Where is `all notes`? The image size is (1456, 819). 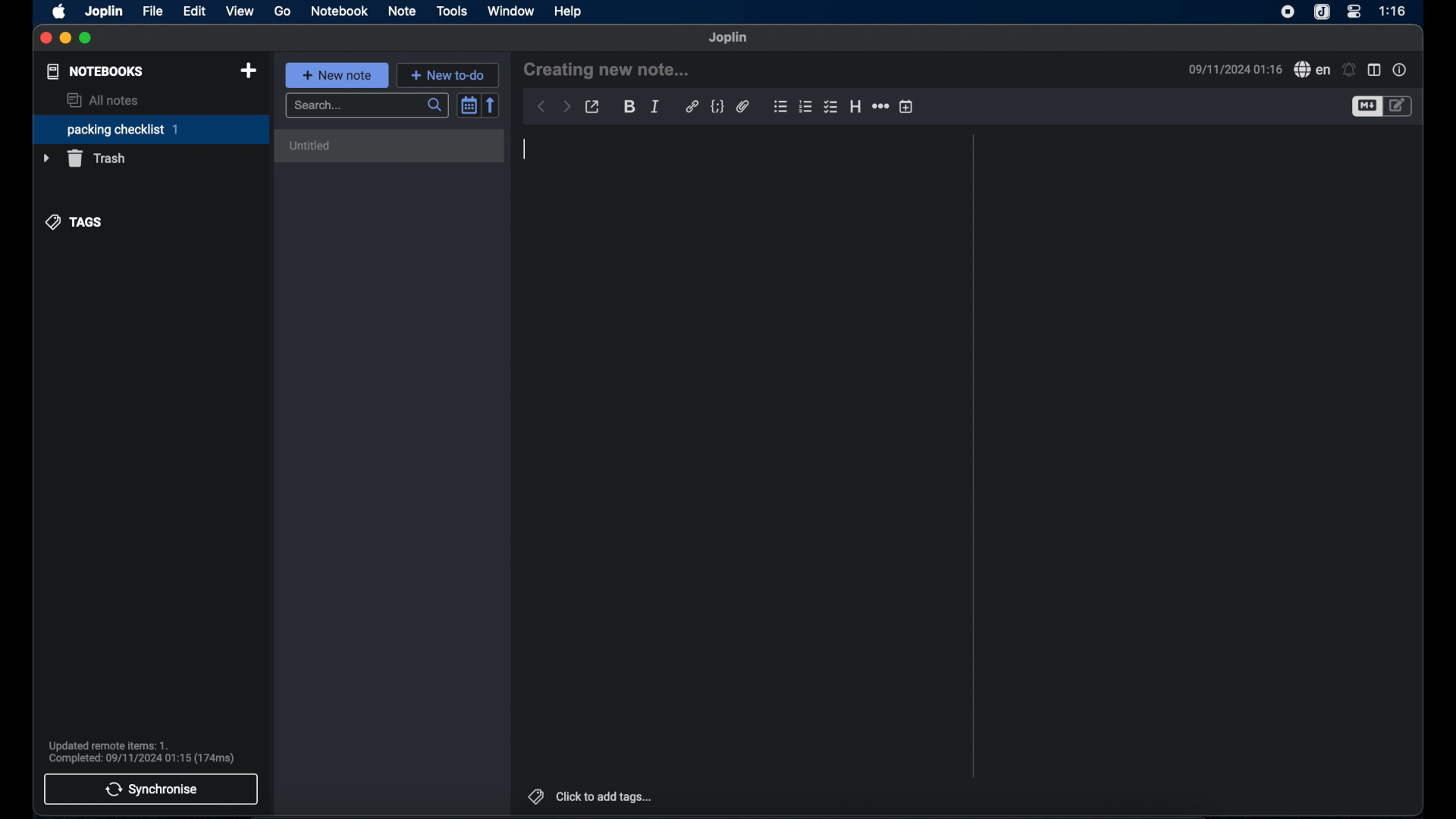 all notes is located at coordinates (105, 100).